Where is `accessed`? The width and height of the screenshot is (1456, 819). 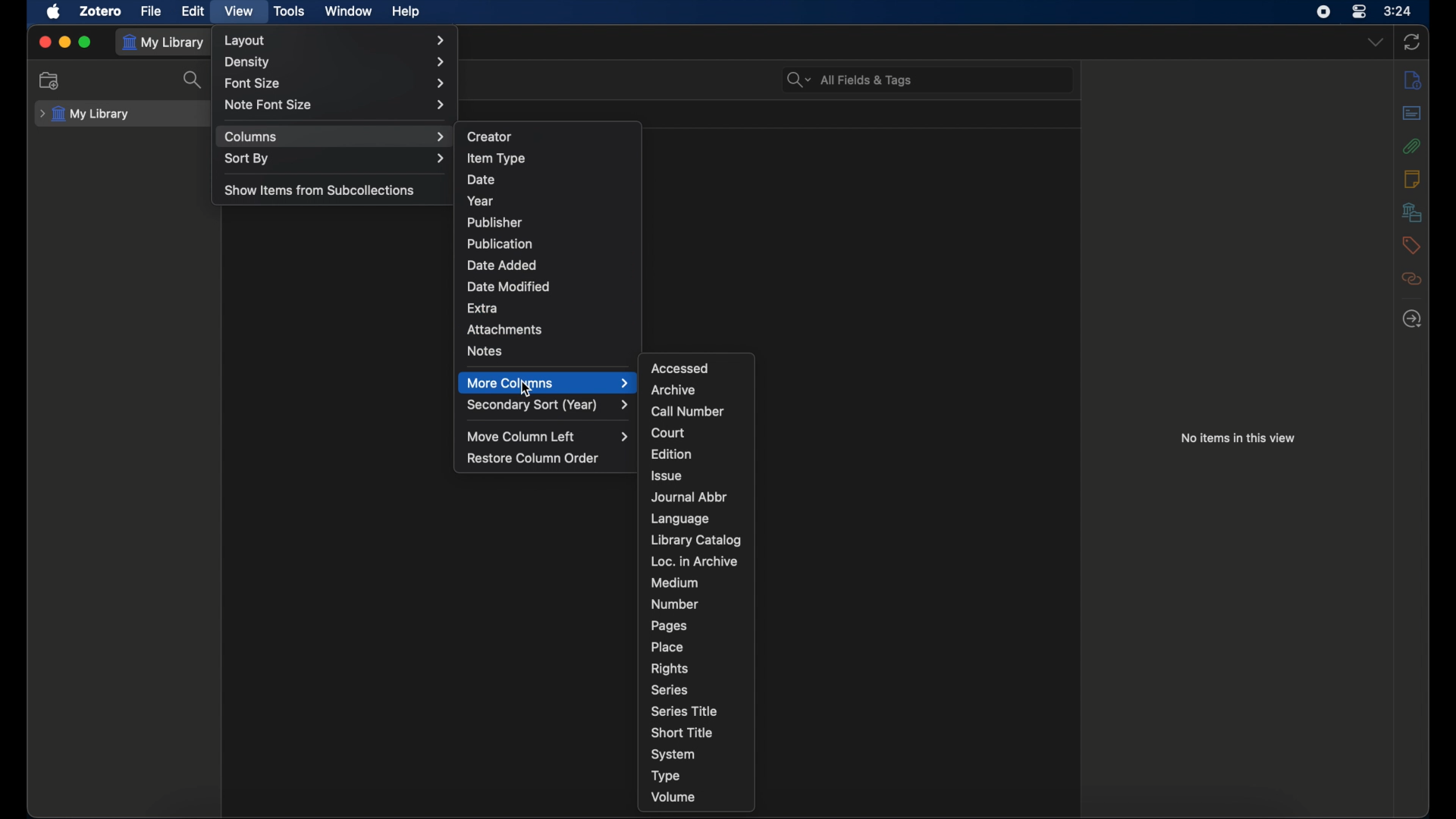 accessed is located at coordinates (679, 367).